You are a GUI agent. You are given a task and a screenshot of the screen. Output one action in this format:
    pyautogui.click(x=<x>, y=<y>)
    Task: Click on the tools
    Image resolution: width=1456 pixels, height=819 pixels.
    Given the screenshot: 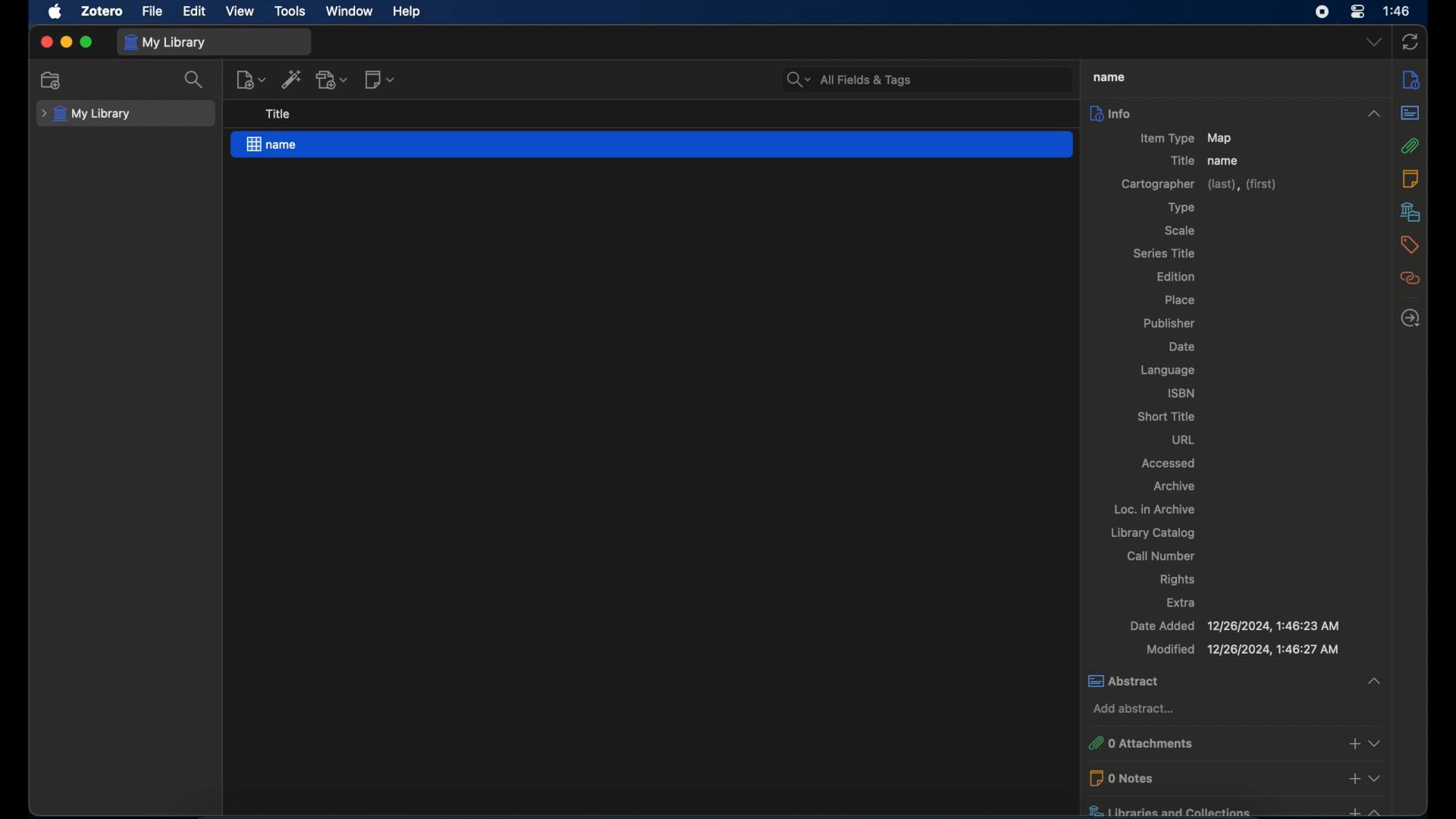 What is the action you would take?
    pyautogui.click(x=290, y=10)
    